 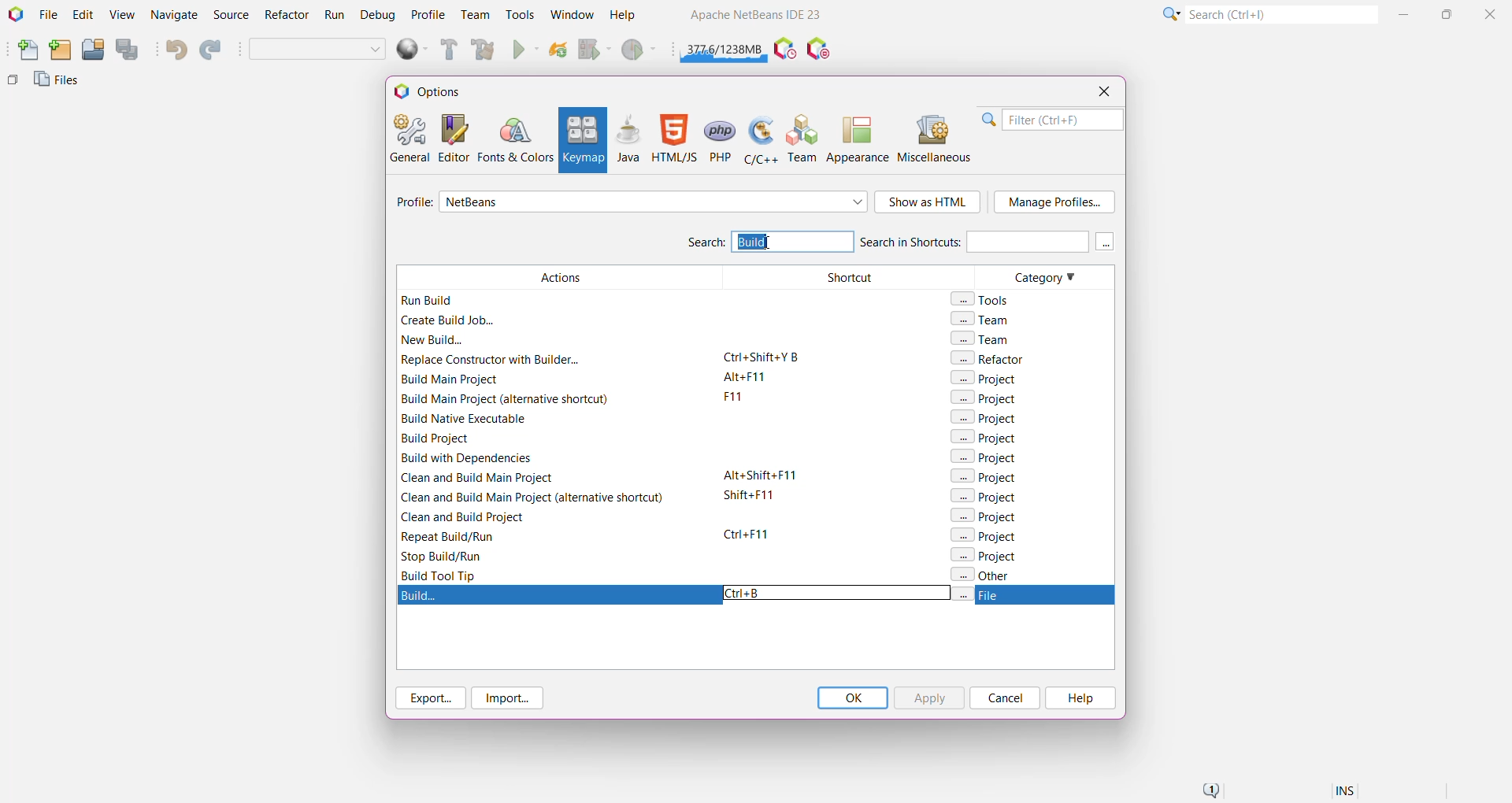 What do you see at coordinates (83, 16) in the screenshot?
I see `Edit` at bounding box center [83, 16].